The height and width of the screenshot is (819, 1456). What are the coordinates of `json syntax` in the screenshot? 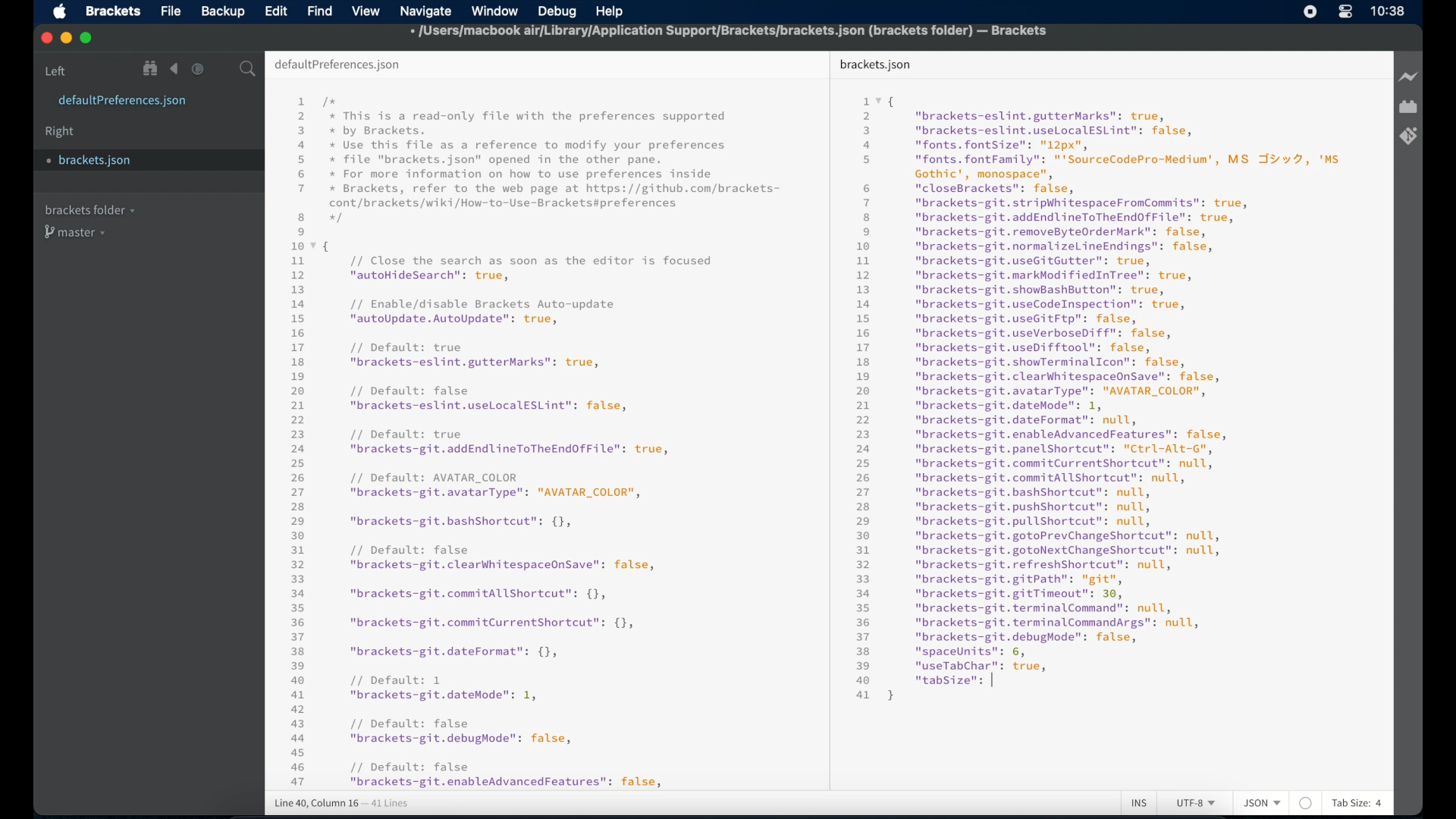 It's located at (535, 441).